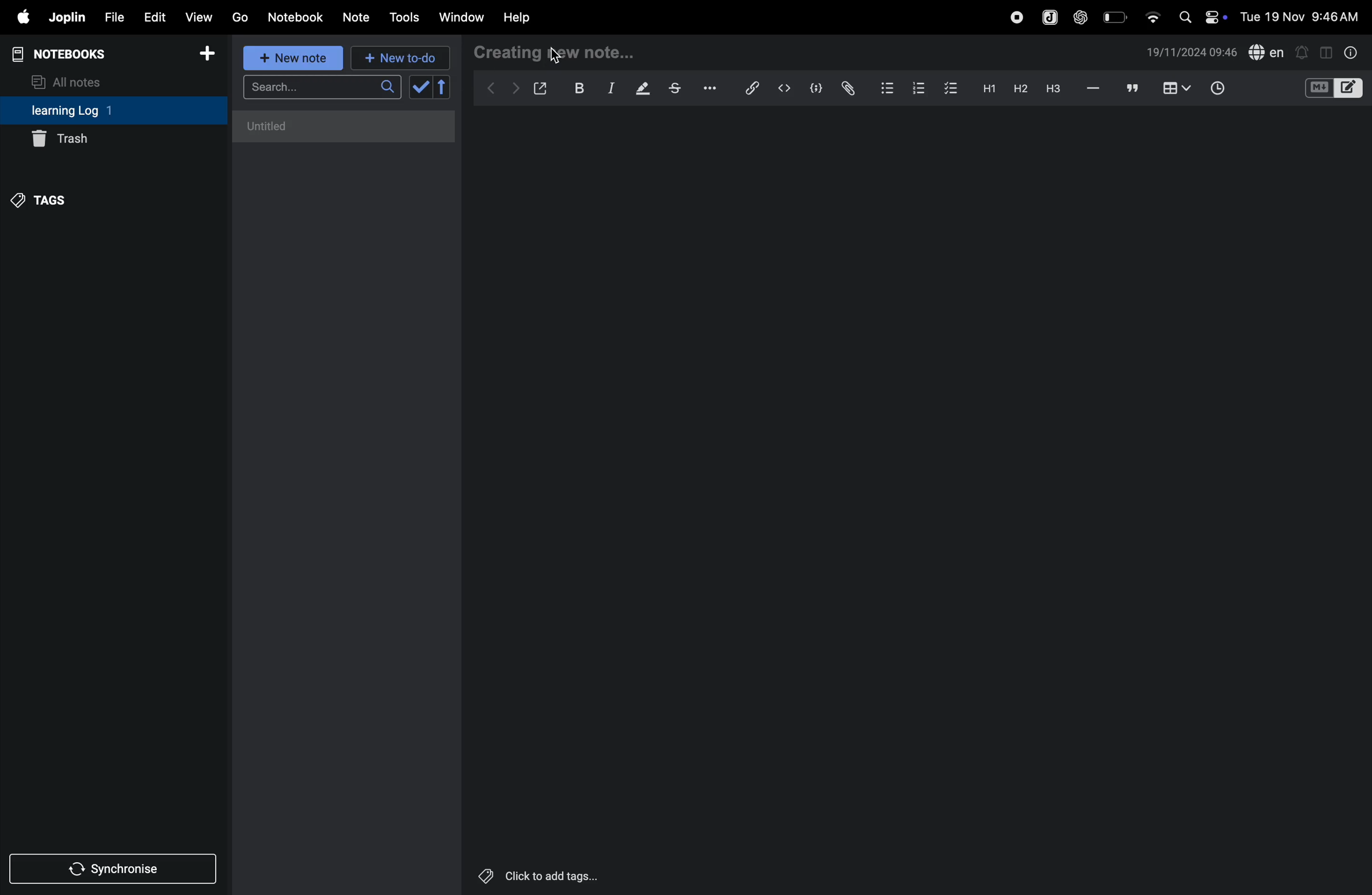 The height and width of the screenshot is (895, 1372). What do you see at coordinates (1020, 88) in the screenshot?
I see `heading 2` at bounding box center [1020, 88].